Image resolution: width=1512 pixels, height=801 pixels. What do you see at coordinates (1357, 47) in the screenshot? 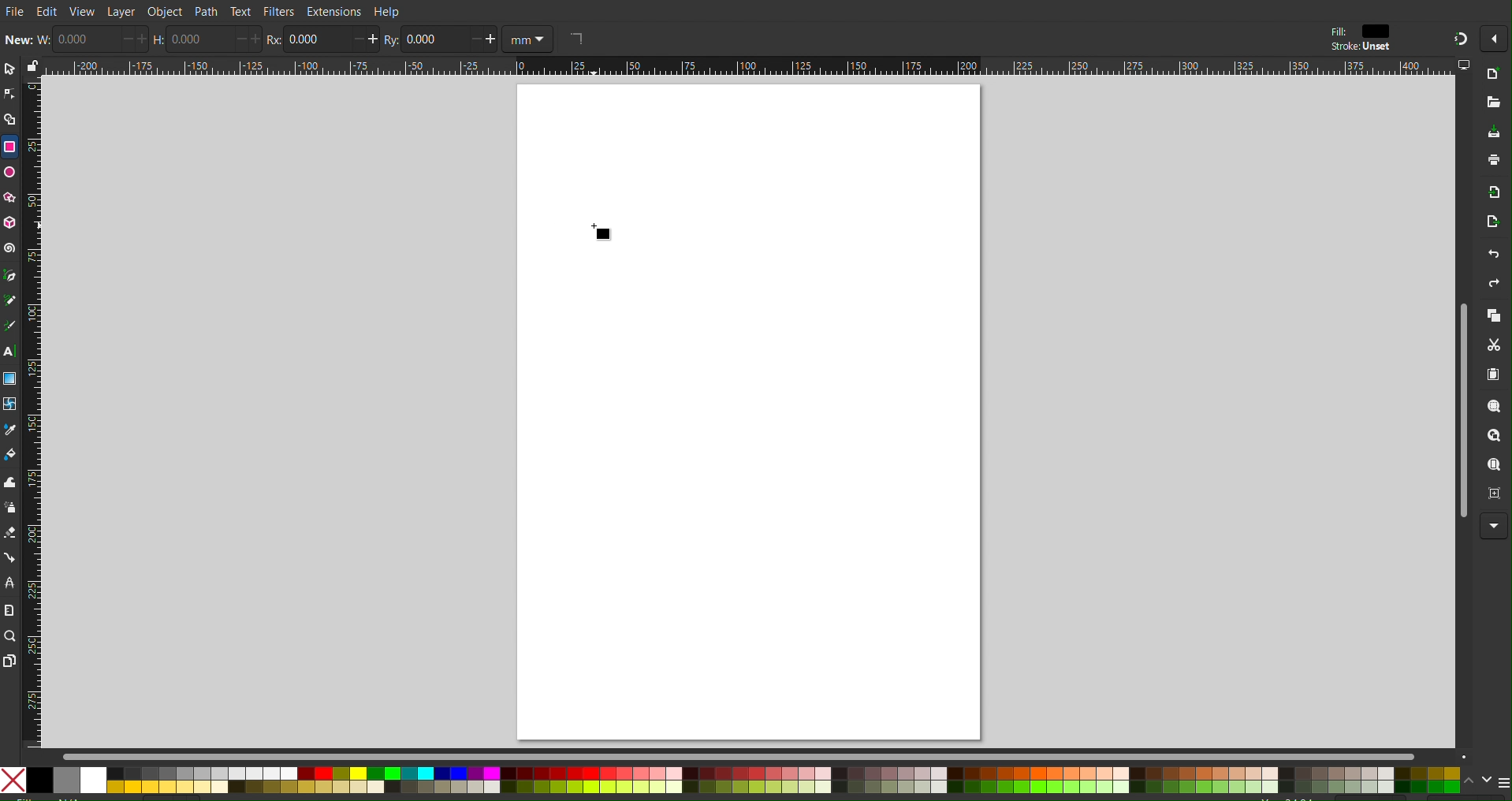
I see `stroke:` at bounding box center [1357, 47].